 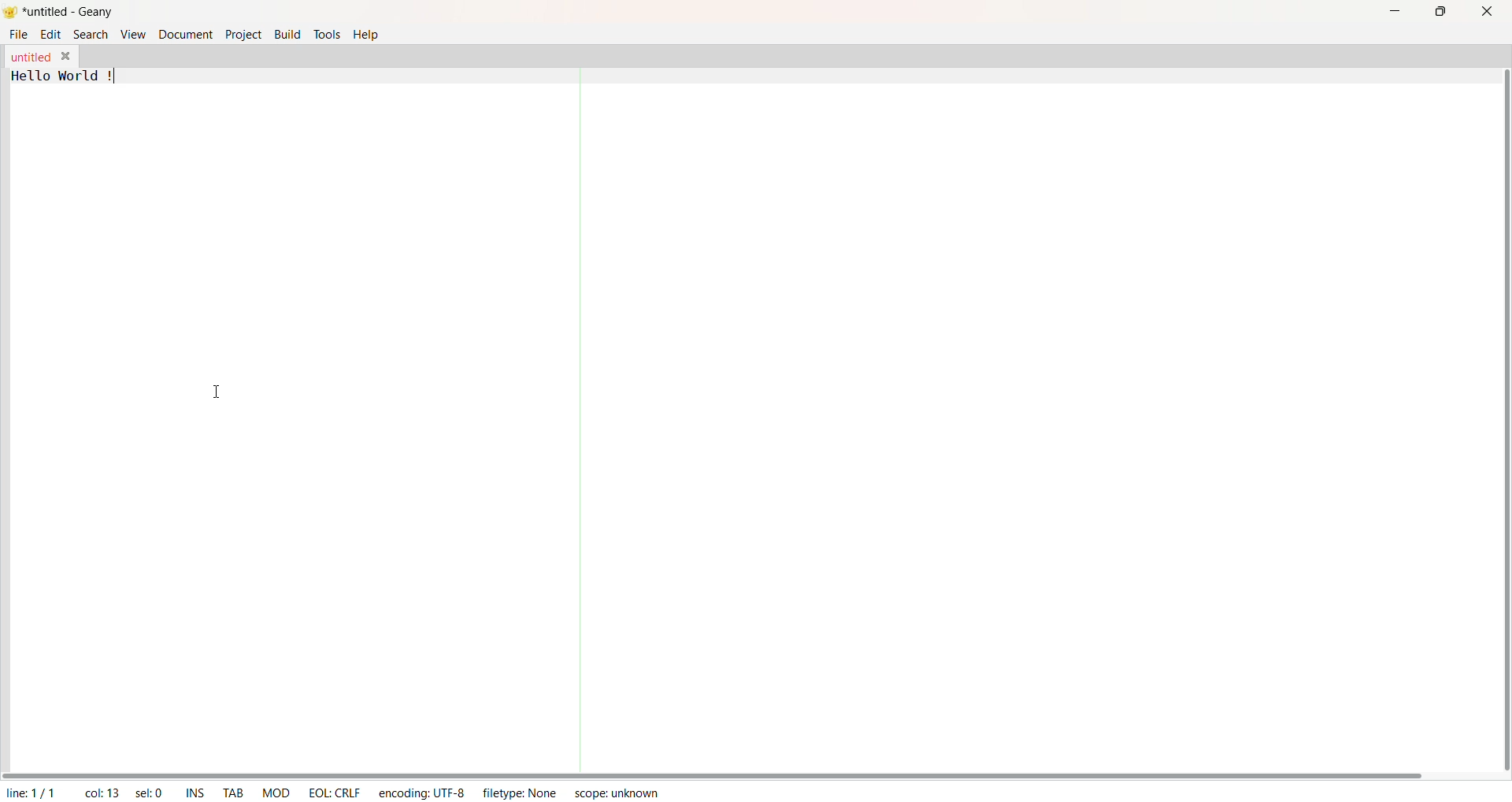 What do you see at coordinates (90, 34) in the screenshot?
I see `Search` at bounding box center [90, 34].